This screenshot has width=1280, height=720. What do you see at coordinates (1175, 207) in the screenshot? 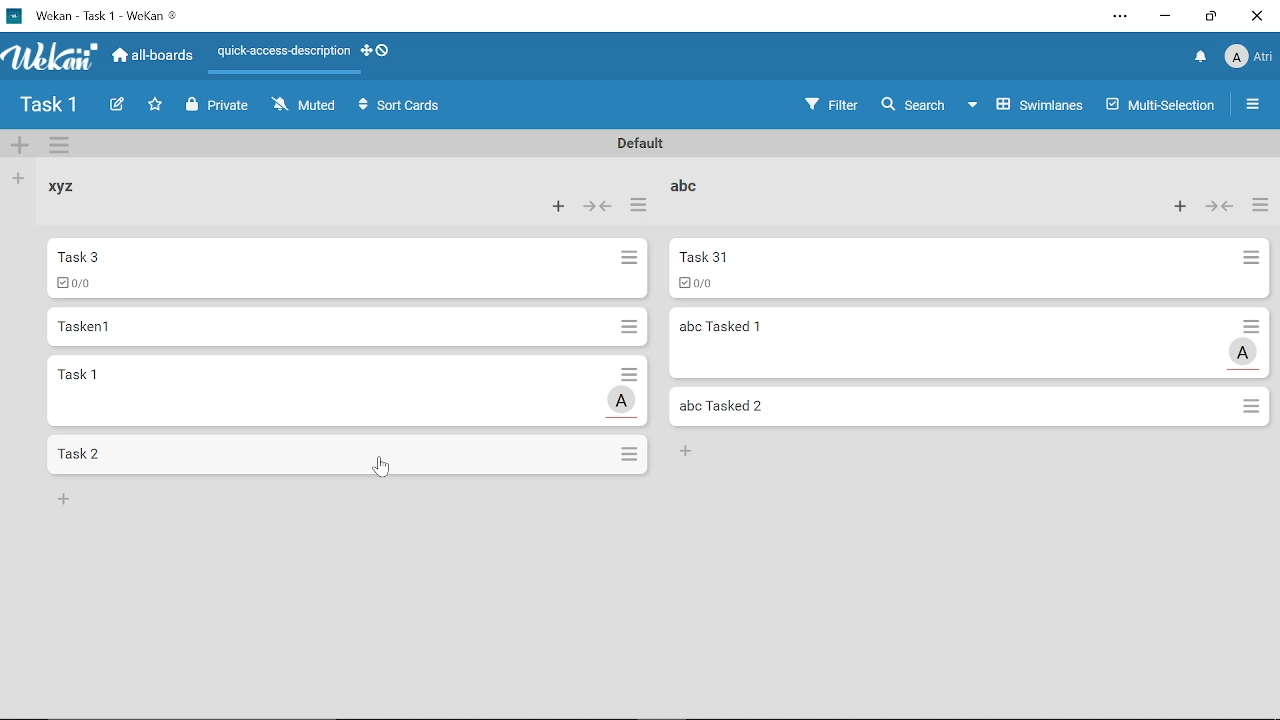
I see `Add card to the top` at bounding box center [1175, 207].